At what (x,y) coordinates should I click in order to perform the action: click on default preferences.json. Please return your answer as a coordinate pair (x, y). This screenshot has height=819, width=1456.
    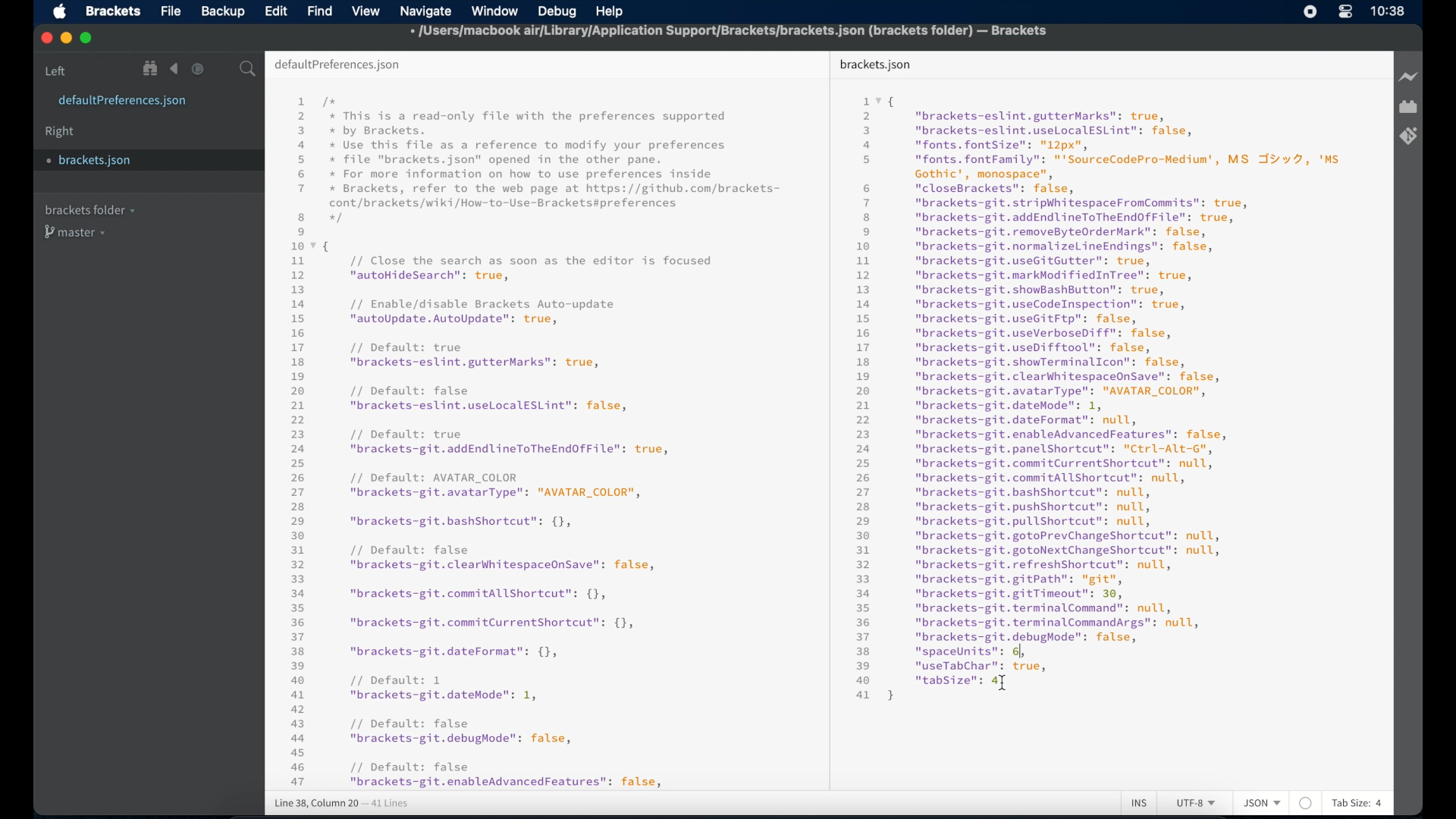
    Looking at the image, I should click on (337, 65).